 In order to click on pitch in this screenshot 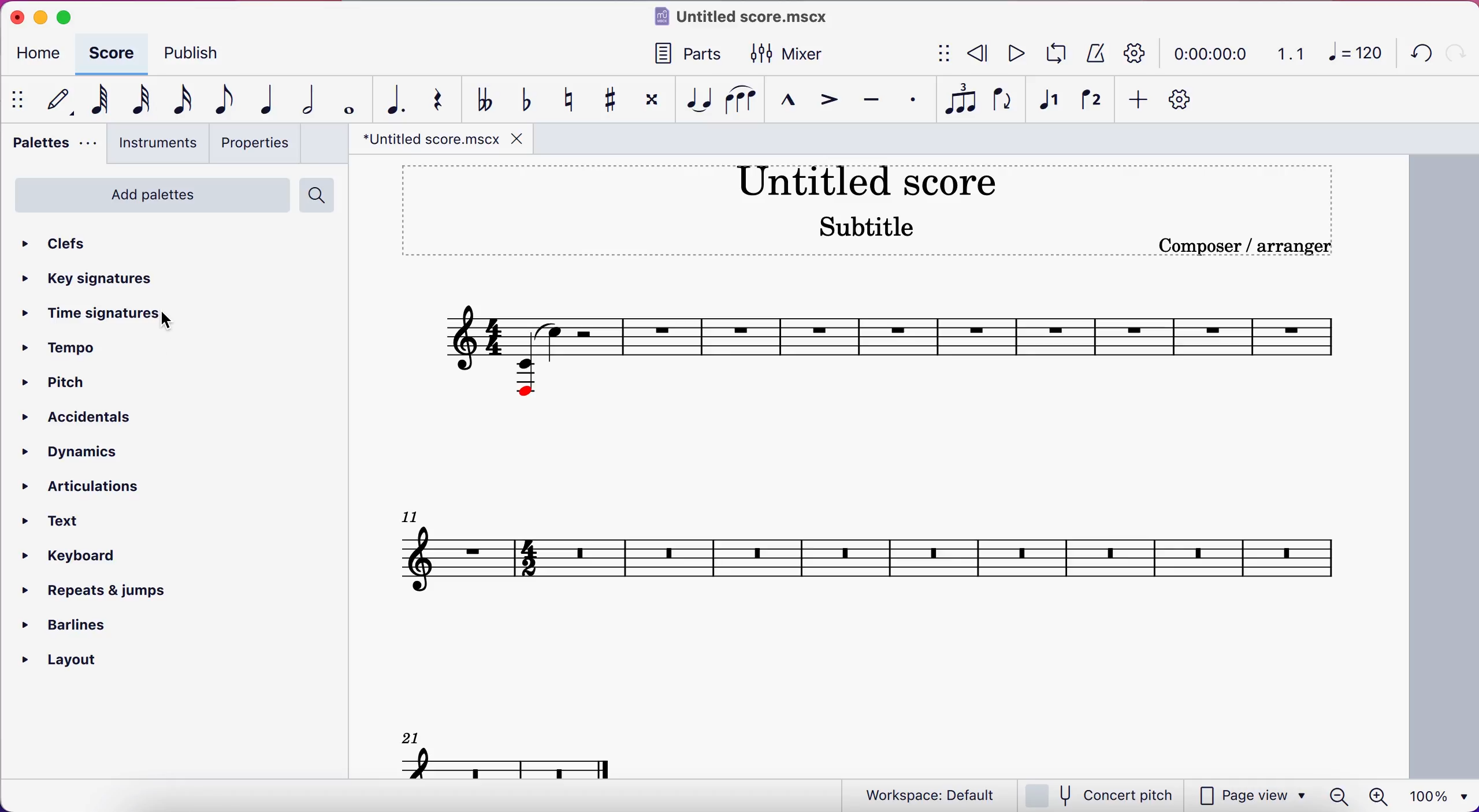, I will do `click(60, 382)`.